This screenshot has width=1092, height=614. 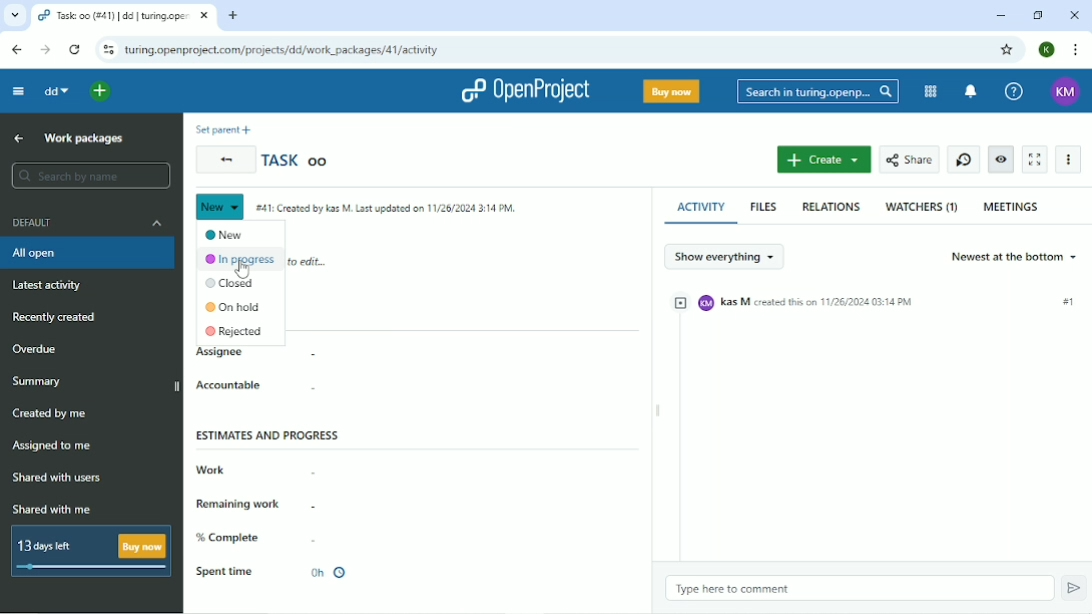 I want to click on Up, so click(x=20, y=139).